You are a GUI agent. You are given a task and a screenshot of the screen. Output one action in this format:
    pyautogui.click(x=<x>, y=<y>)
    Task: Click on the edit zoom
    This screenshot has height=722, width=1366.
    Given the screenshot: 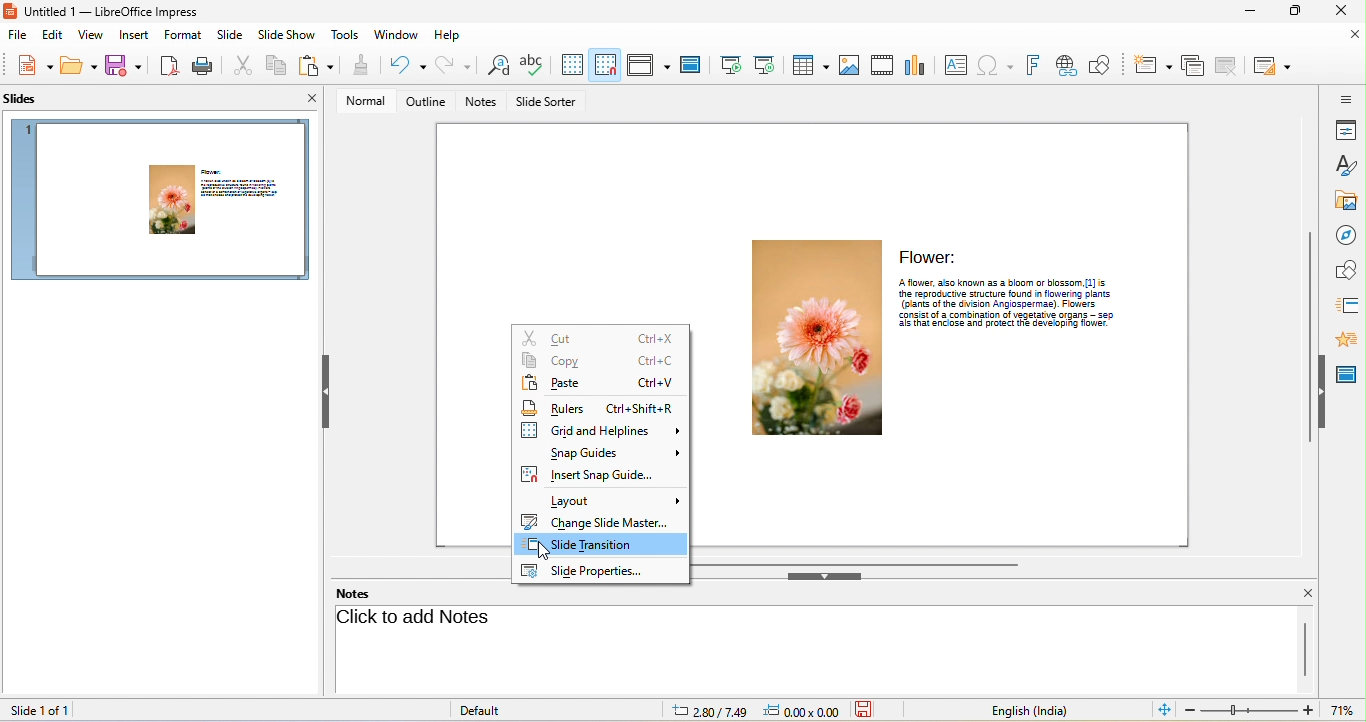 What is the action you would take?
    pyautogui.click(x=1250, y=711)
    